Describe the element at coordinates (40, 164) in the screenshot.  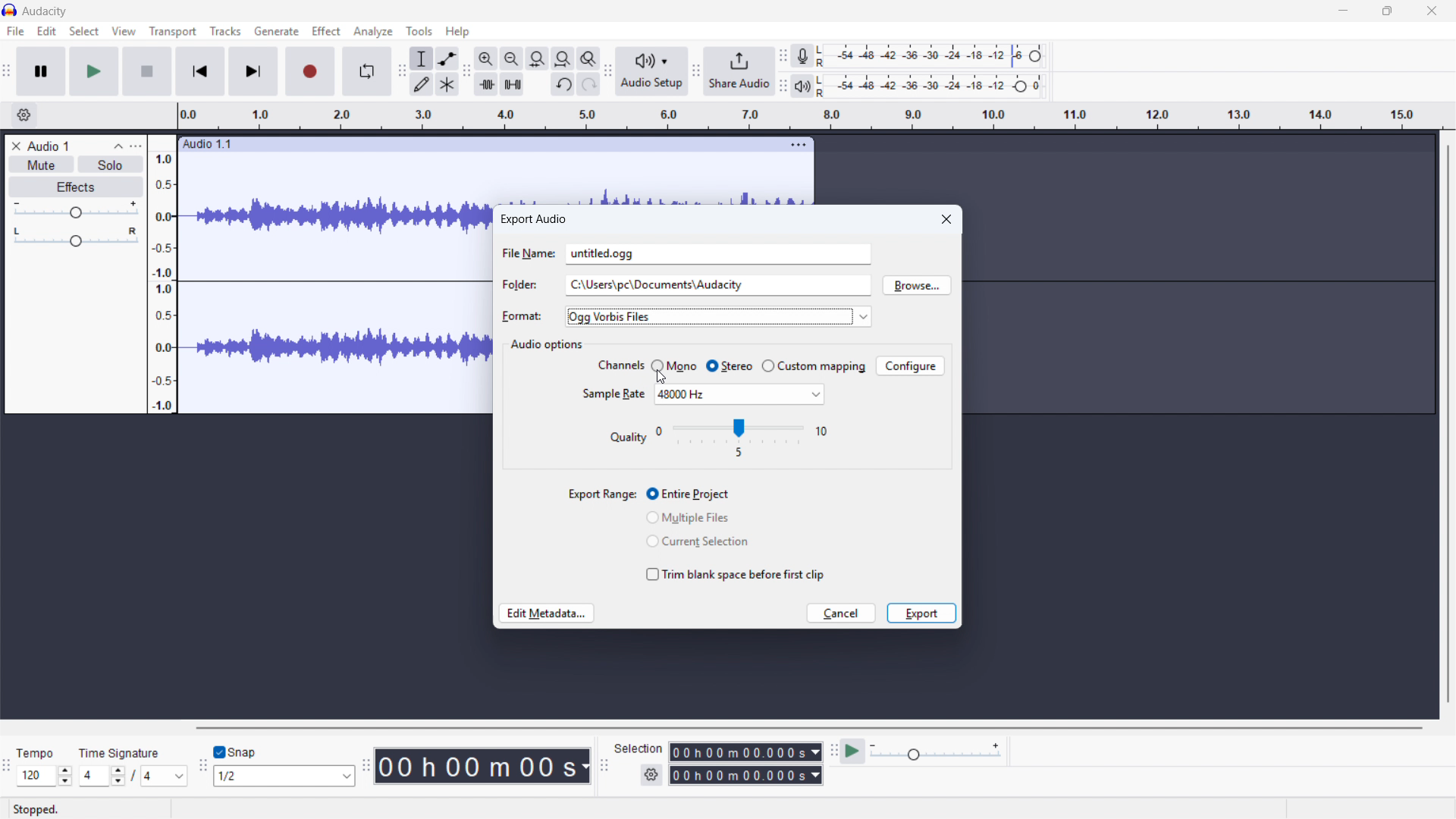
I see `Mute ` at that location.